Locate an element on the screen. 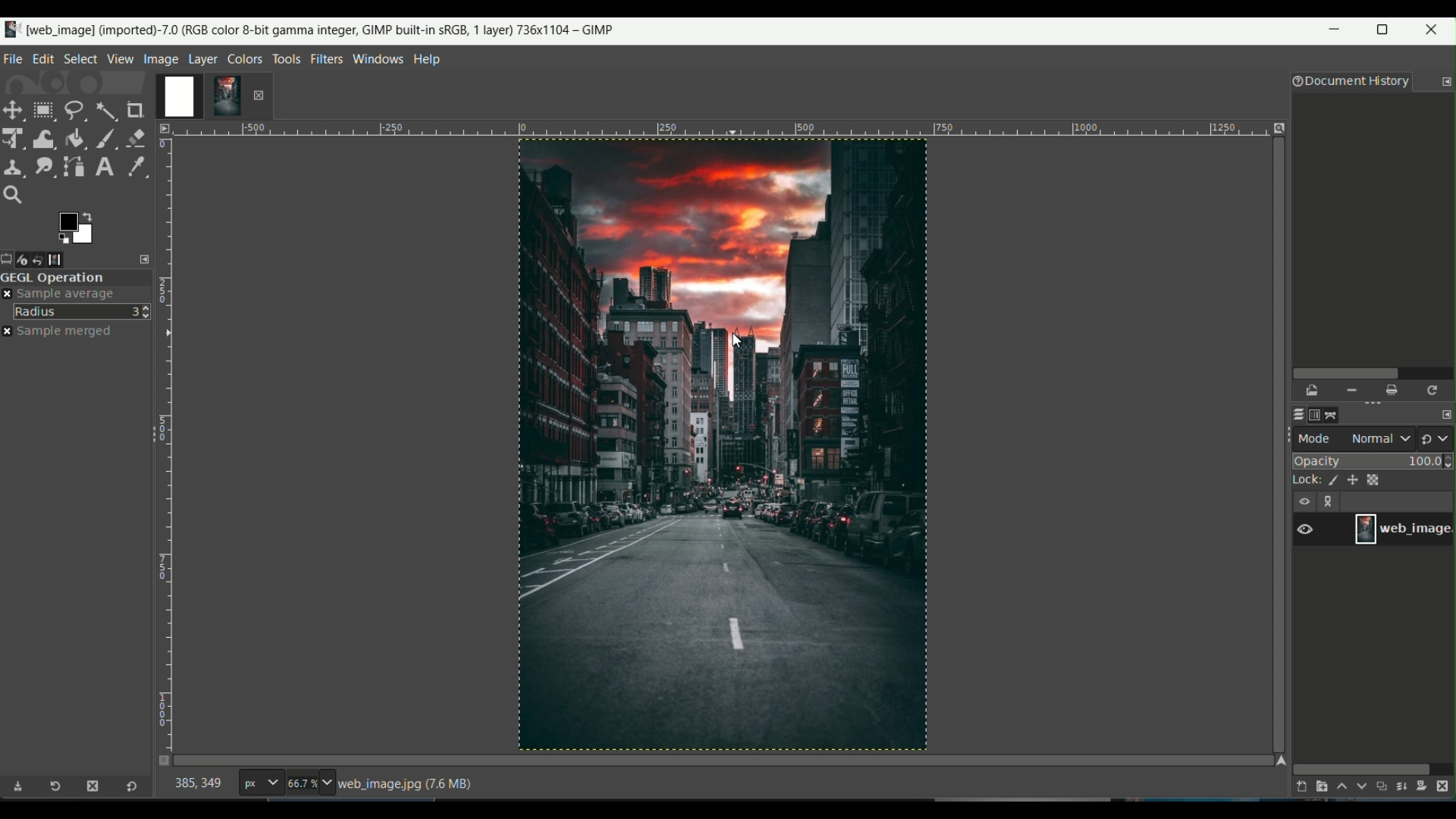 The height and width of the screenshot is (819, 1456). color picker tool is located at coordinates (133, 165).